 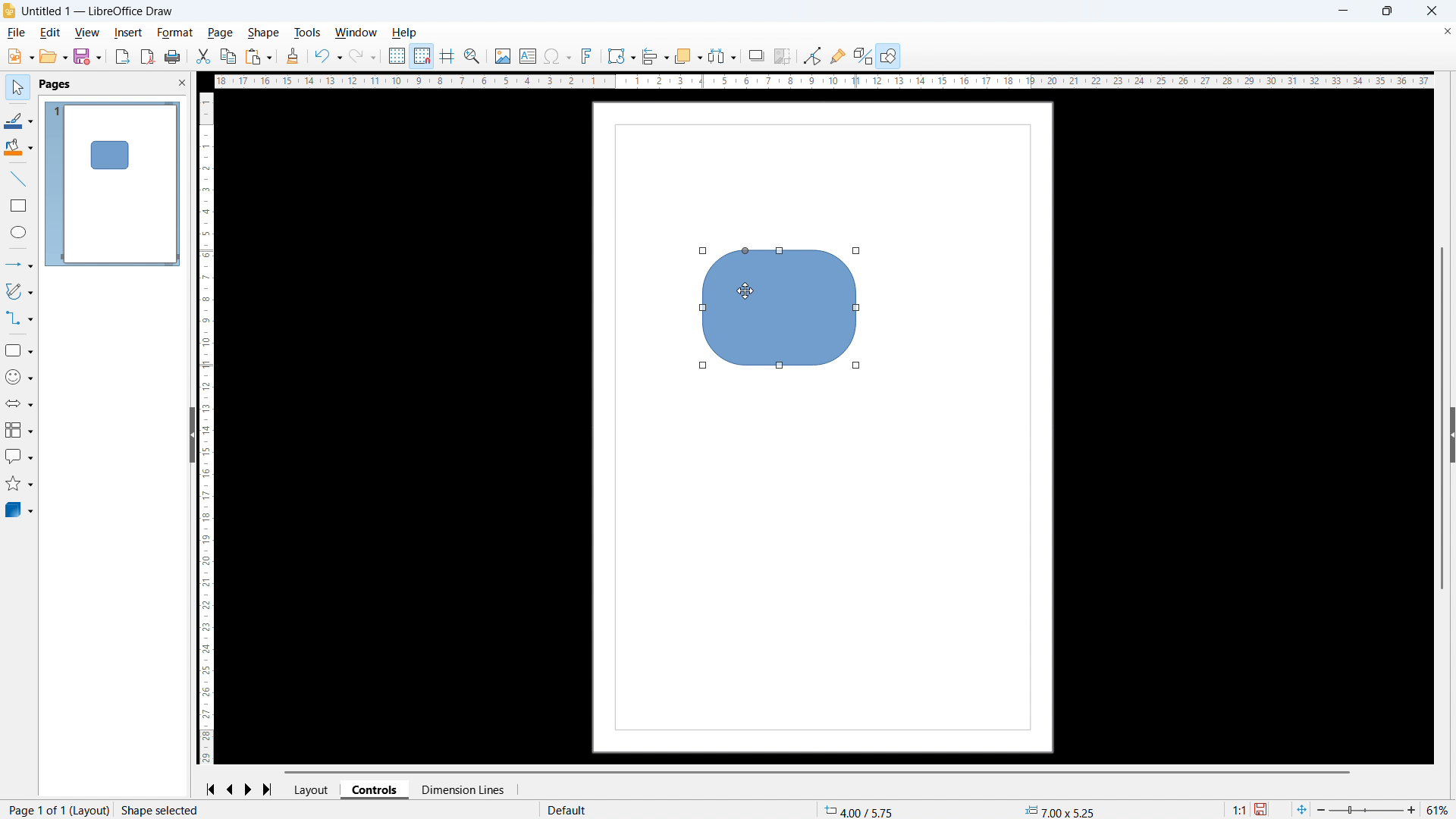 What do you see at coordinates (780, 312) in the screenshot?
I see `Shape curvature changed ` at bounding box center [780, 312].